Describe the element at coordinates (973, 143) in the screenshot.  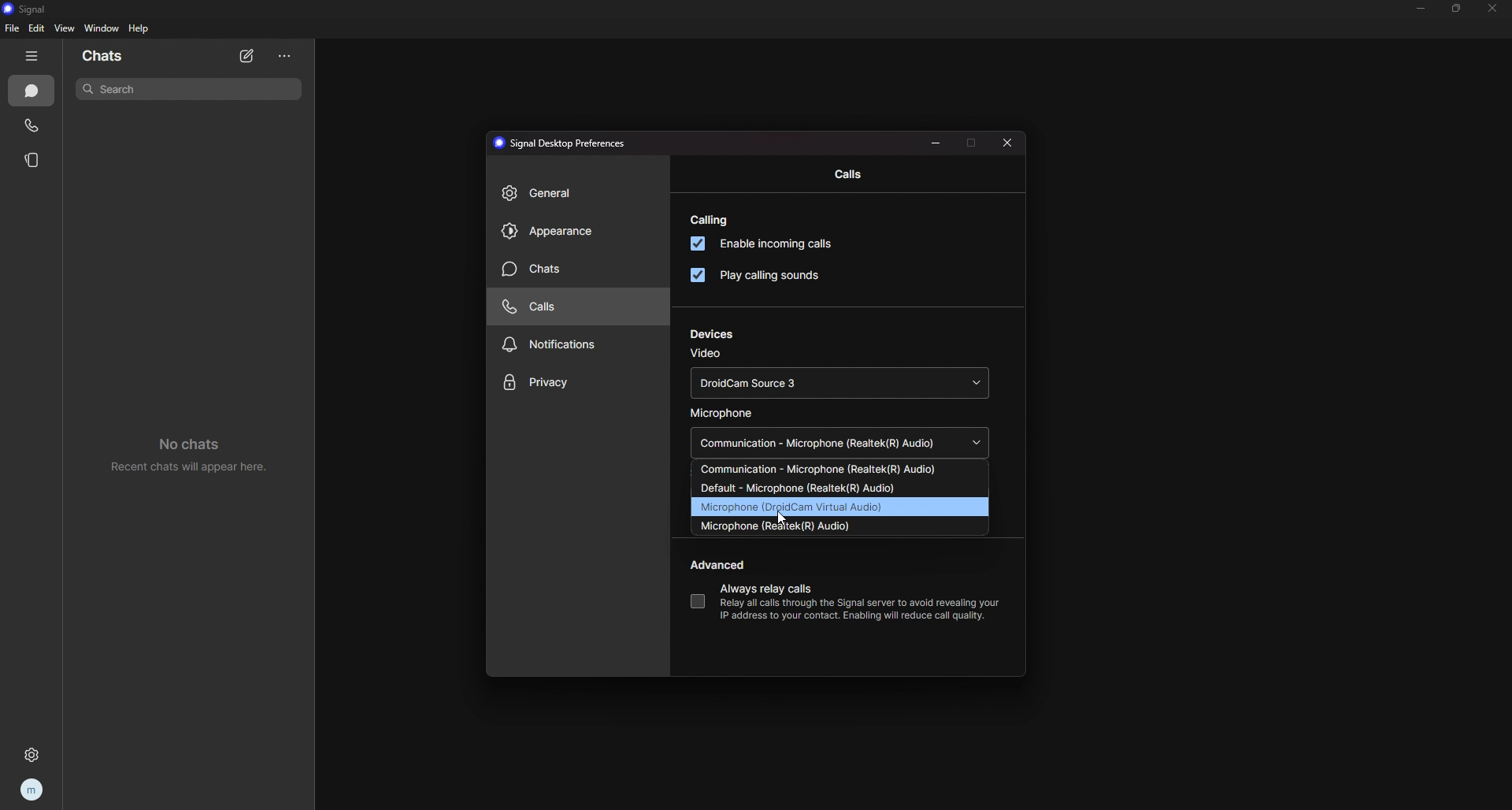
I see `maximize` at that location.